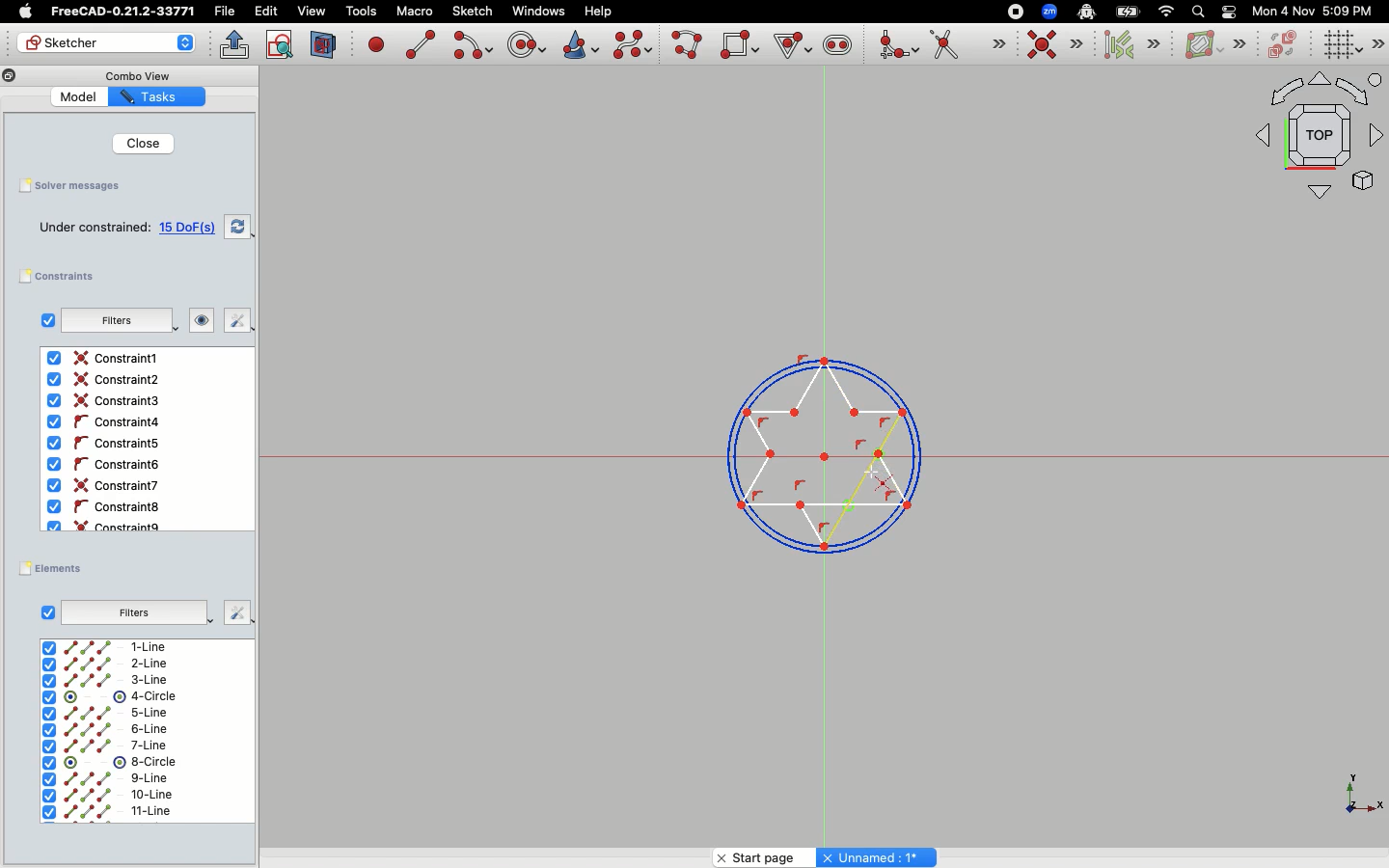 The image size is (1389, 868). I want to click on Create conic, so click(579, 43).